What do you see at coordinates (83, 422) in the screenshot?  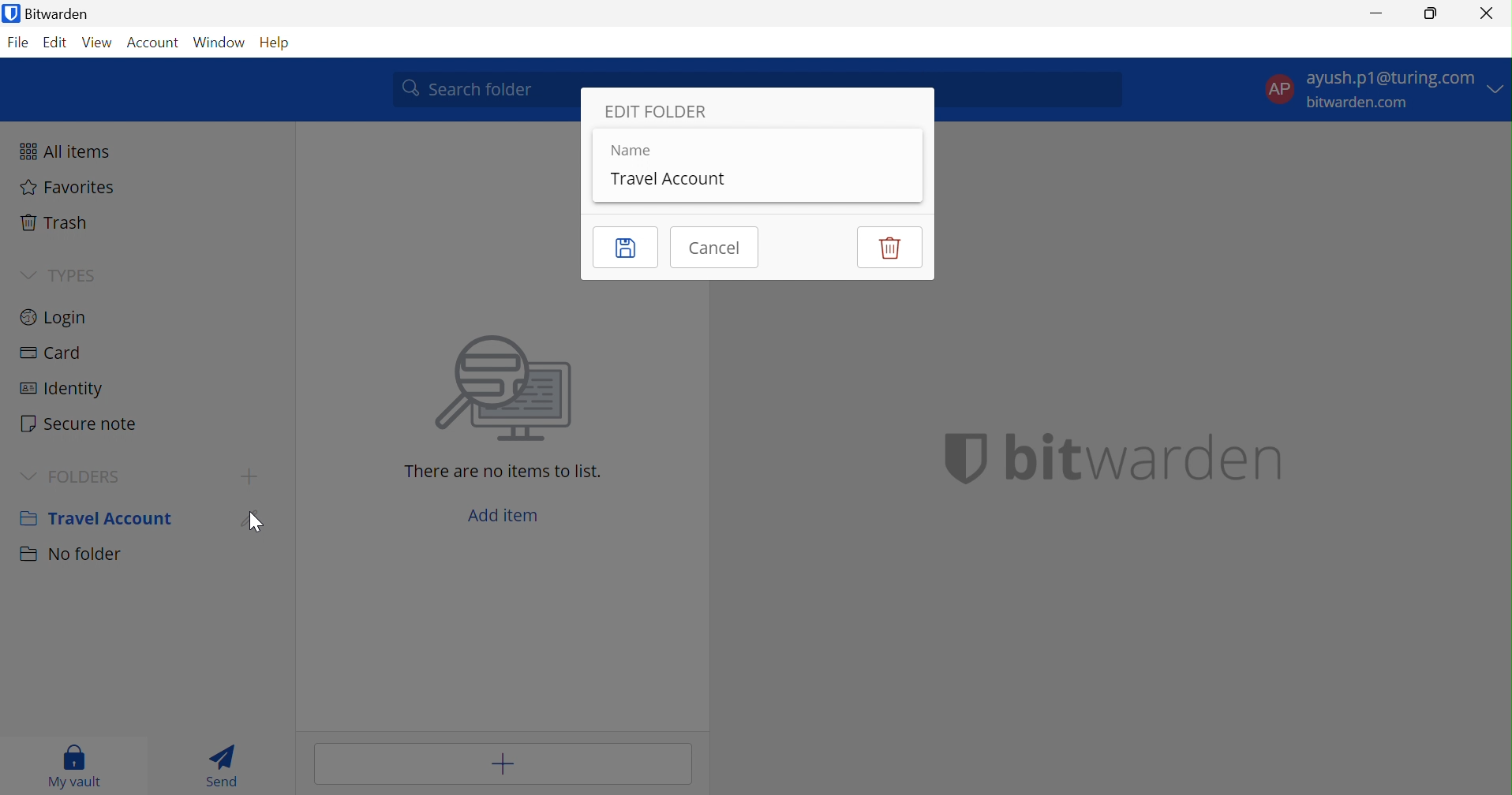 I see `Secure note` at bounding box center [83, 422].